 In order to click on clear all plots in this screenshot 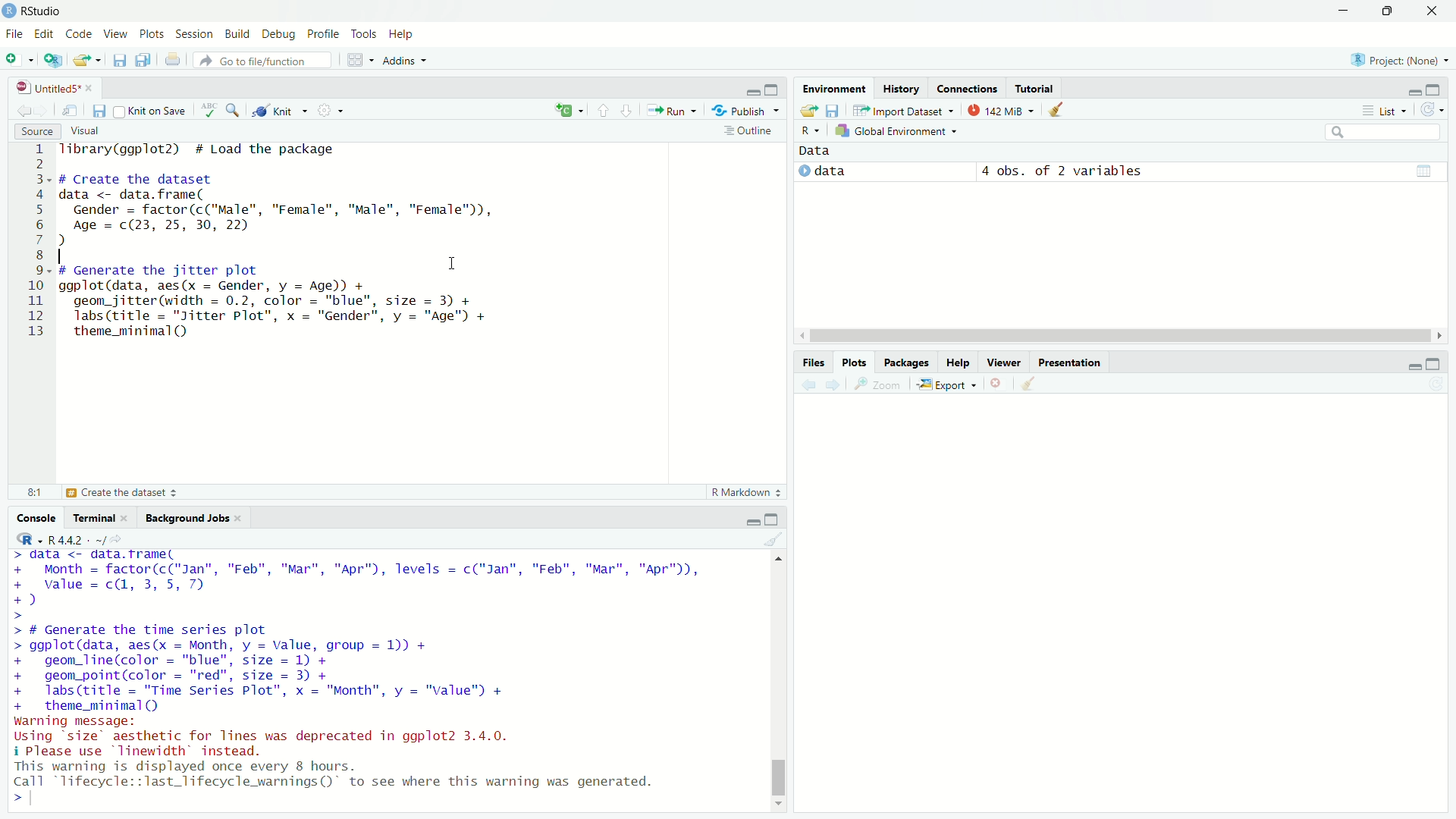, I will do `click(1031, 384)`.